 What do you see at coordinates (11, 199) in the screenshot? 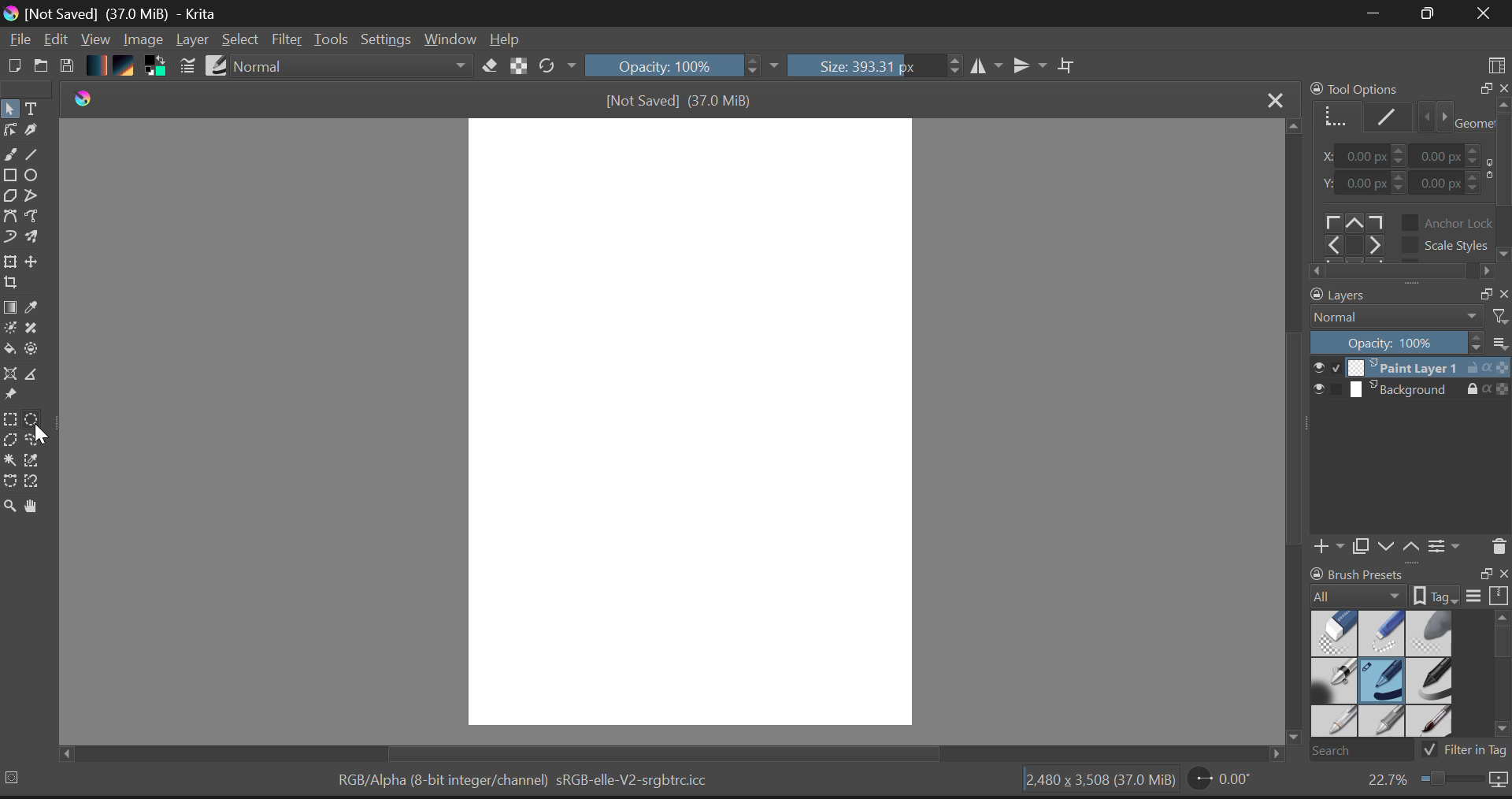
I see `Polygon` at bounding box center [11, 199].